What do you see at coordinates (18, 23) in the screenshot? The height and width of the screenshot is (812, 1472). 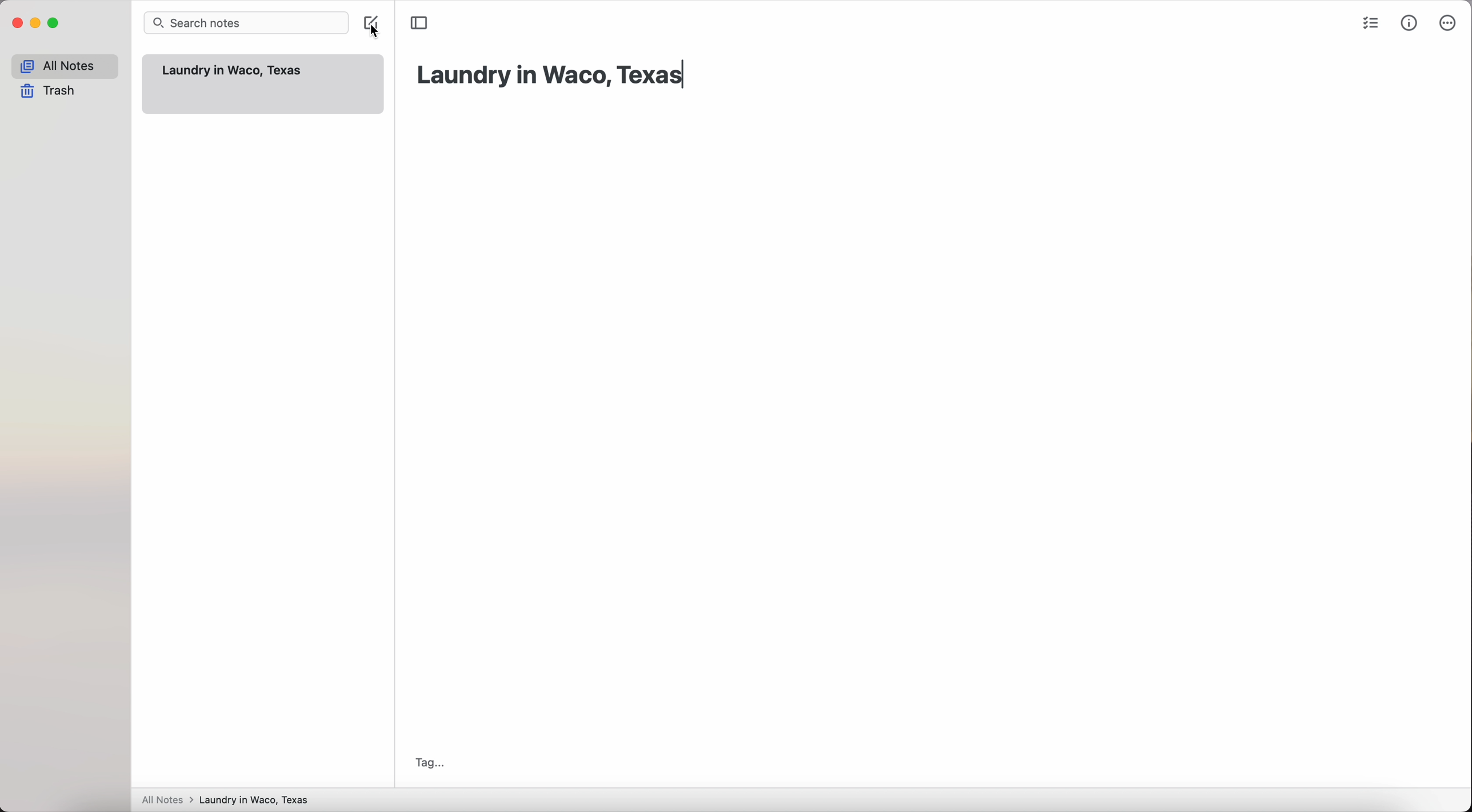 I see `close app` at bounding box center [18, 23].